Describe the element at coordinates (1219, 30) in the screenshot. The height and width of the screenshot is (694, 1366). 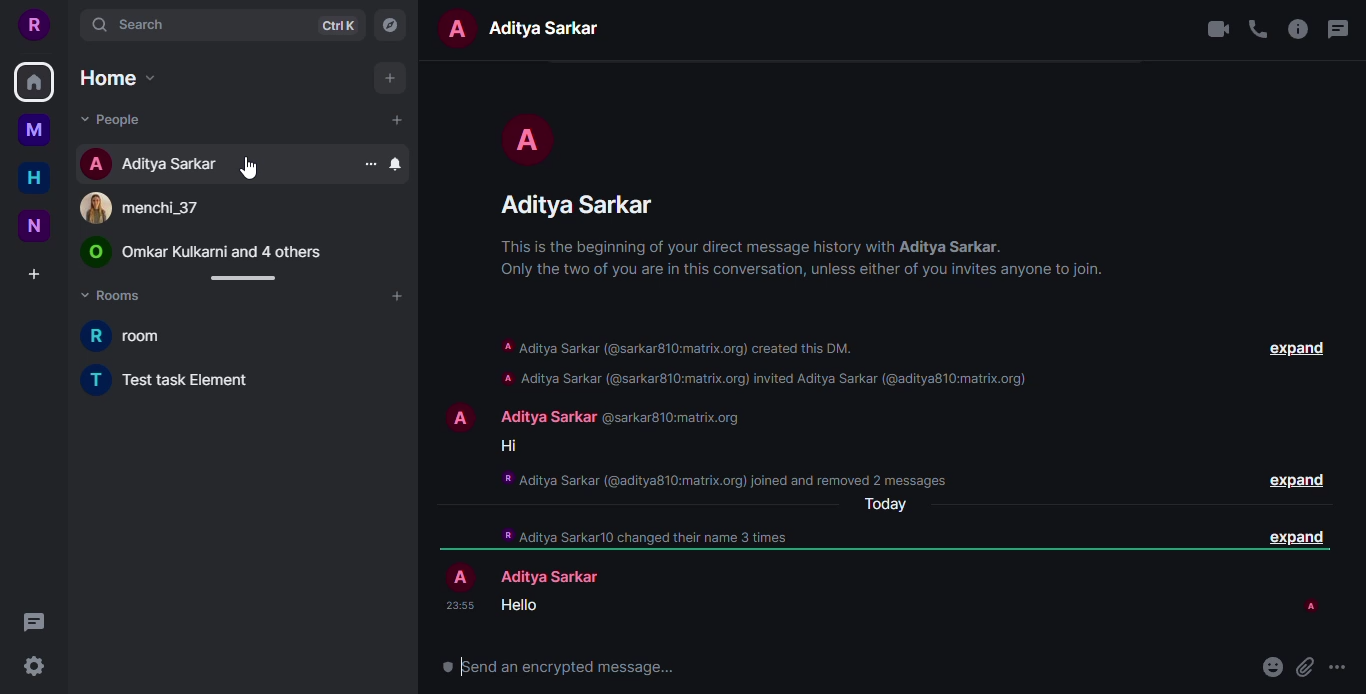
I see `video call` at that location.